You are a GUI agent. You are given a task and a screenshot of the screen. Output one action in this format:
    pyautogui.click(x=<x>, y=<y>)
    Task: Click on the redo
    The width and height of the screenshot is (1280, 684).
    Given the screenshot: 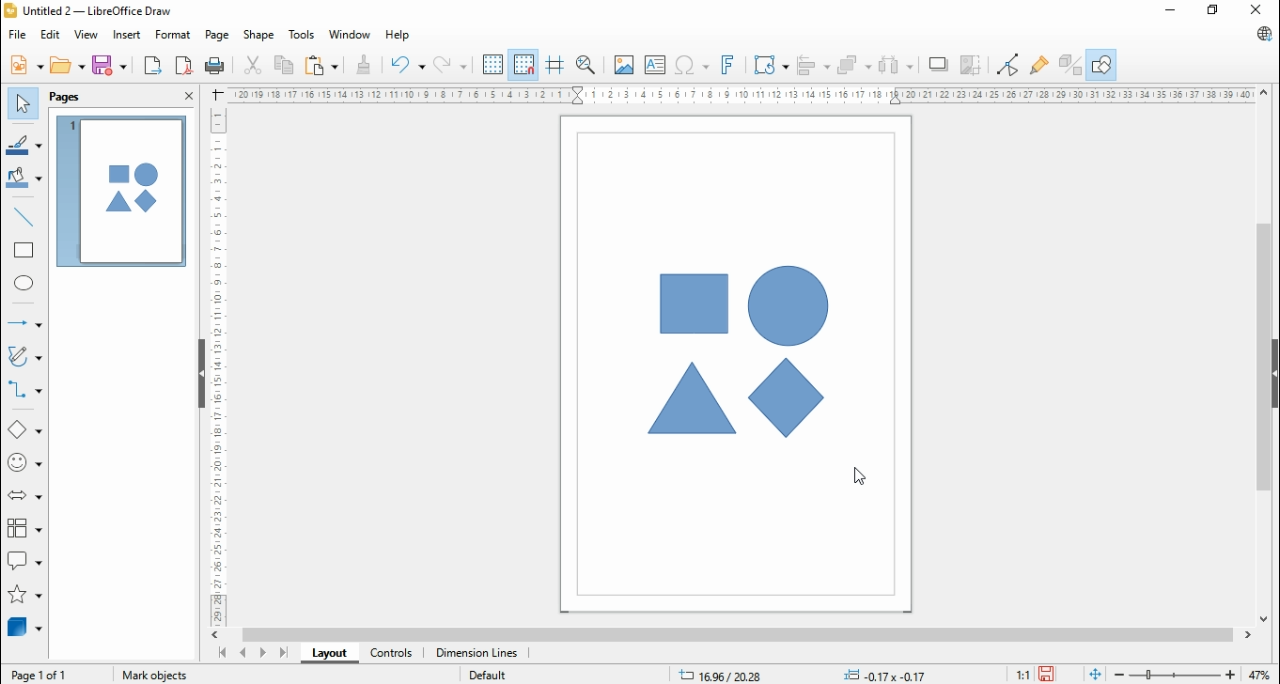 What is the action you would take?
    pyautogui.click(x=452, y=65)
    